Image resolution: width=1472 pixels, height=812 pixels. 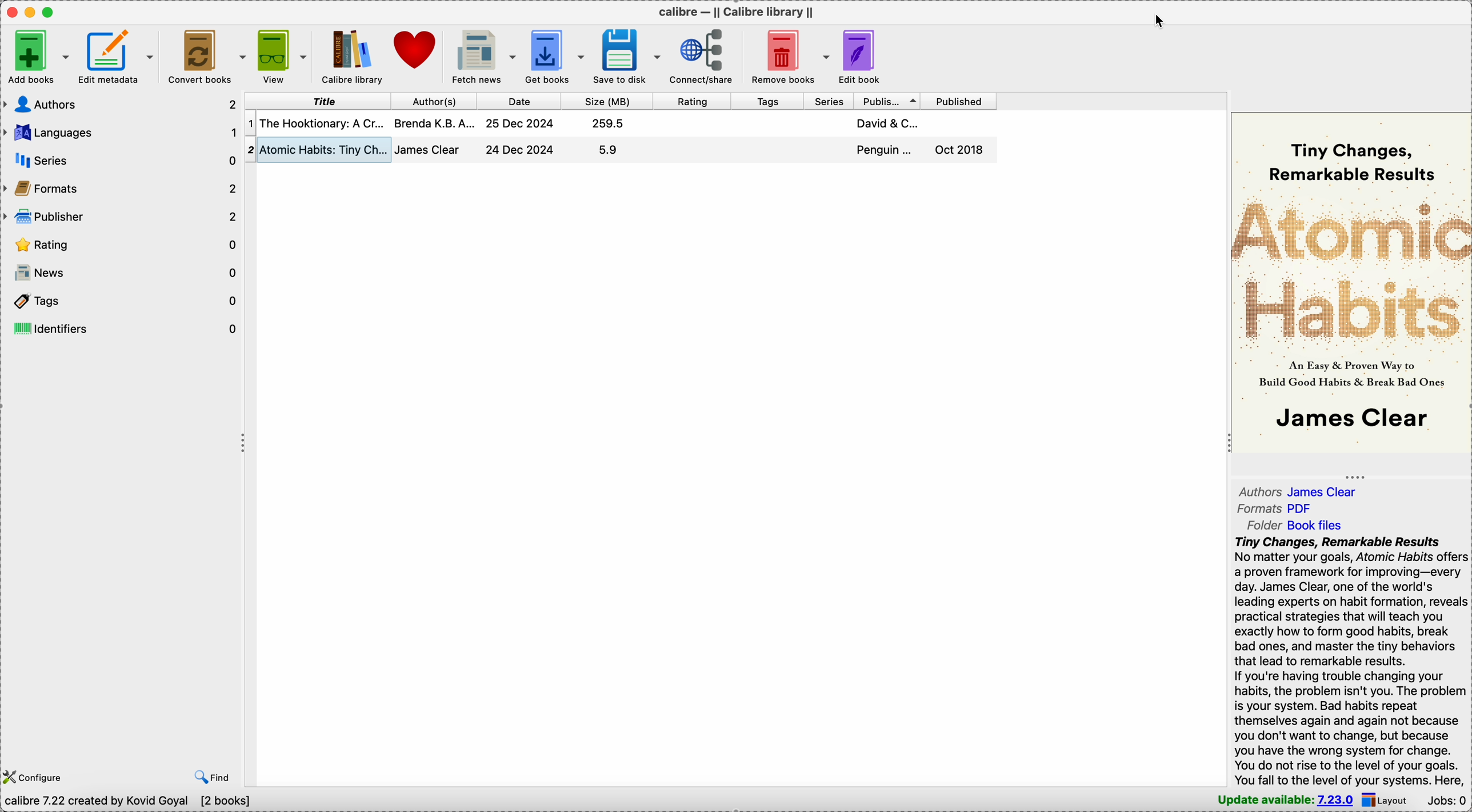 I want to click on published, so click(x=966, y=102).